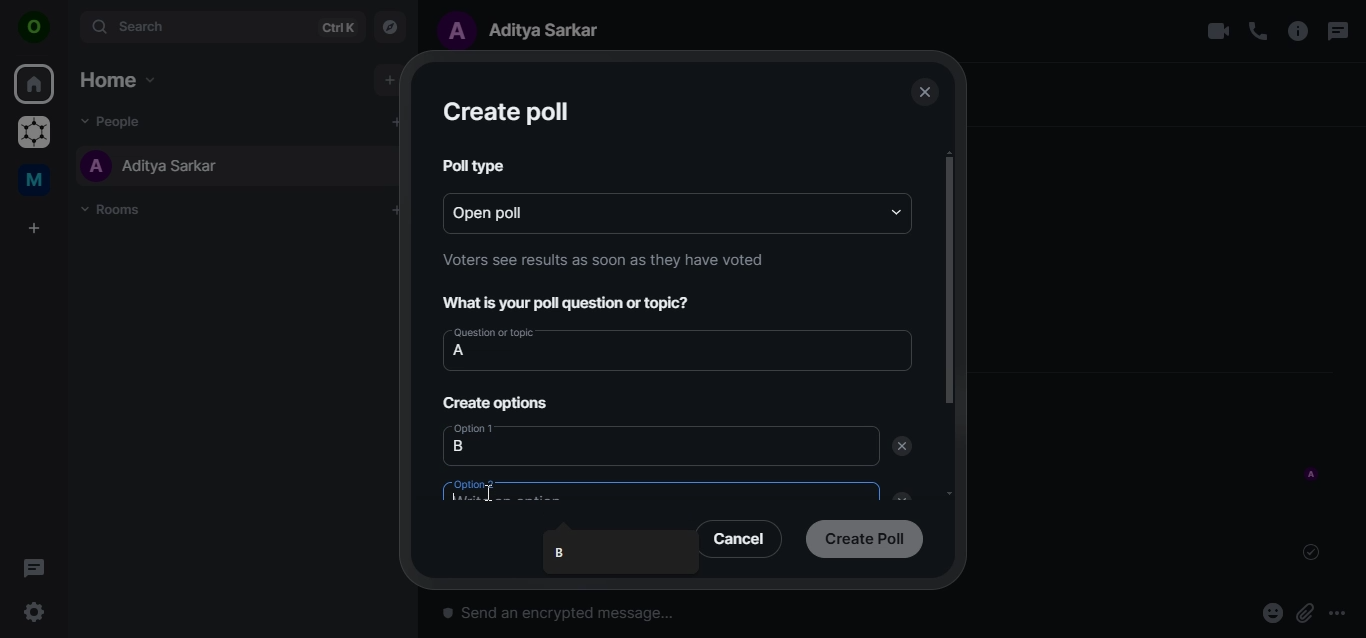 This screenshot has height=638, width=1366. What do you see at coordinates (573, 304) in the screenshot?
I see `What is your poll question or topic?` at bounding box center [573, 304].